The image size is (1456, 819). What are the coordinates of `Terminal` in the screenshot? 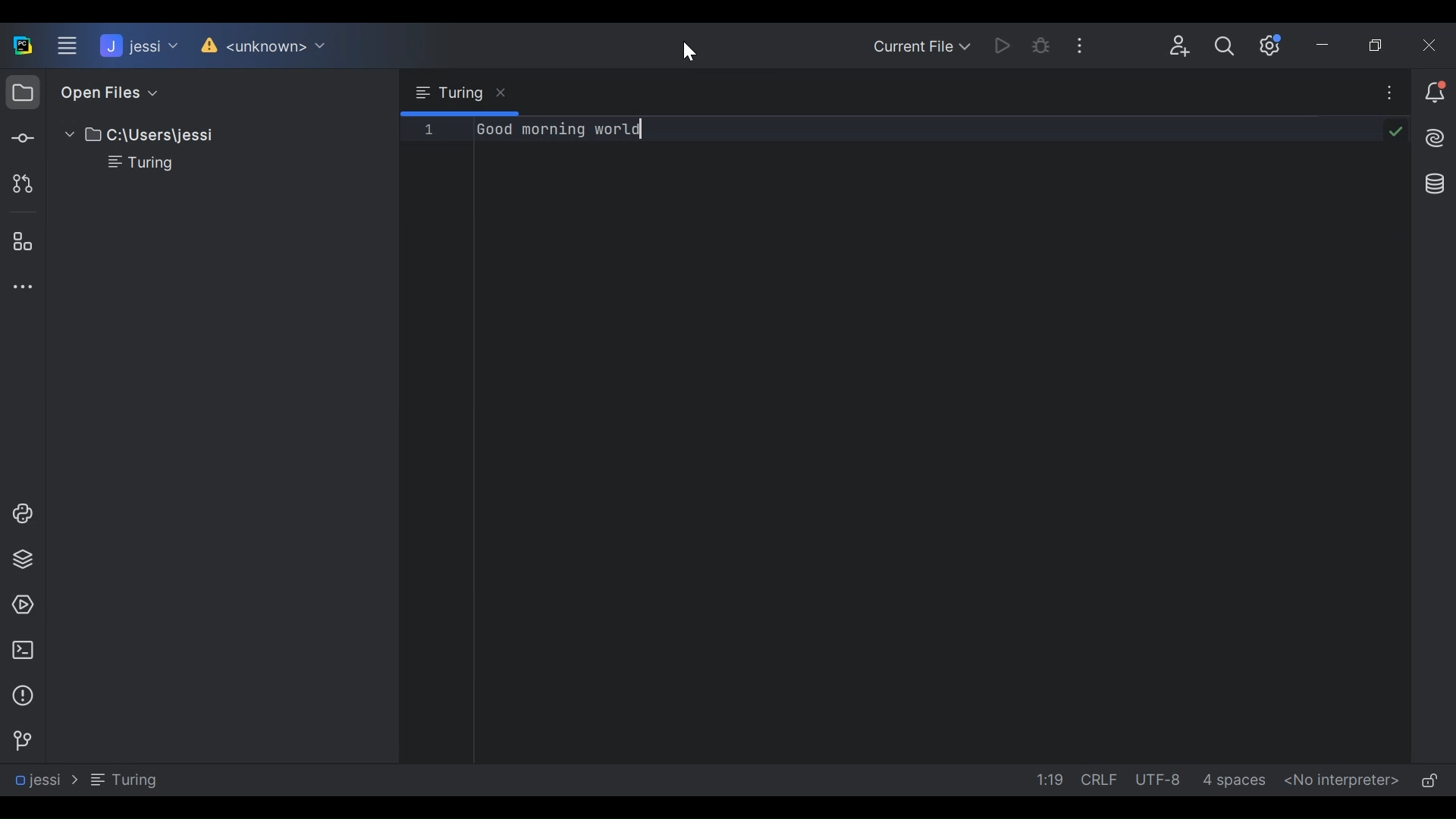 It's located at (20, 651).